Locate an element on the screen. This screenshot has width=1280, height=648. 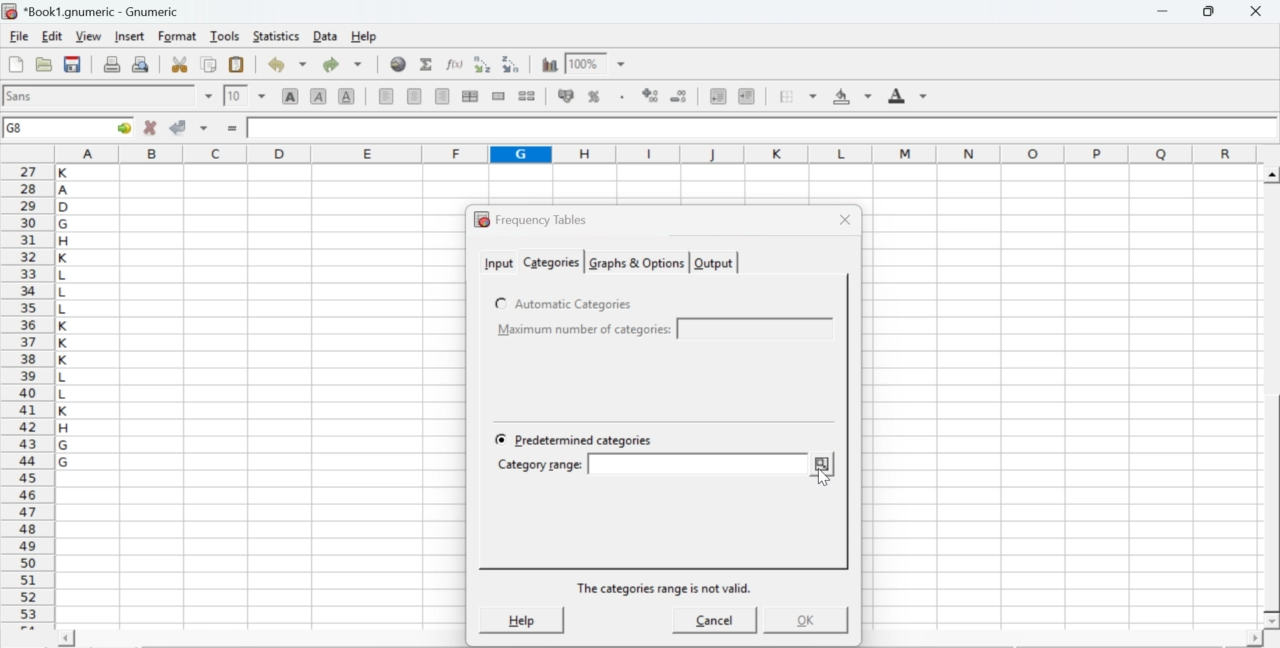
enter formula is located at coordinates (234, 129).